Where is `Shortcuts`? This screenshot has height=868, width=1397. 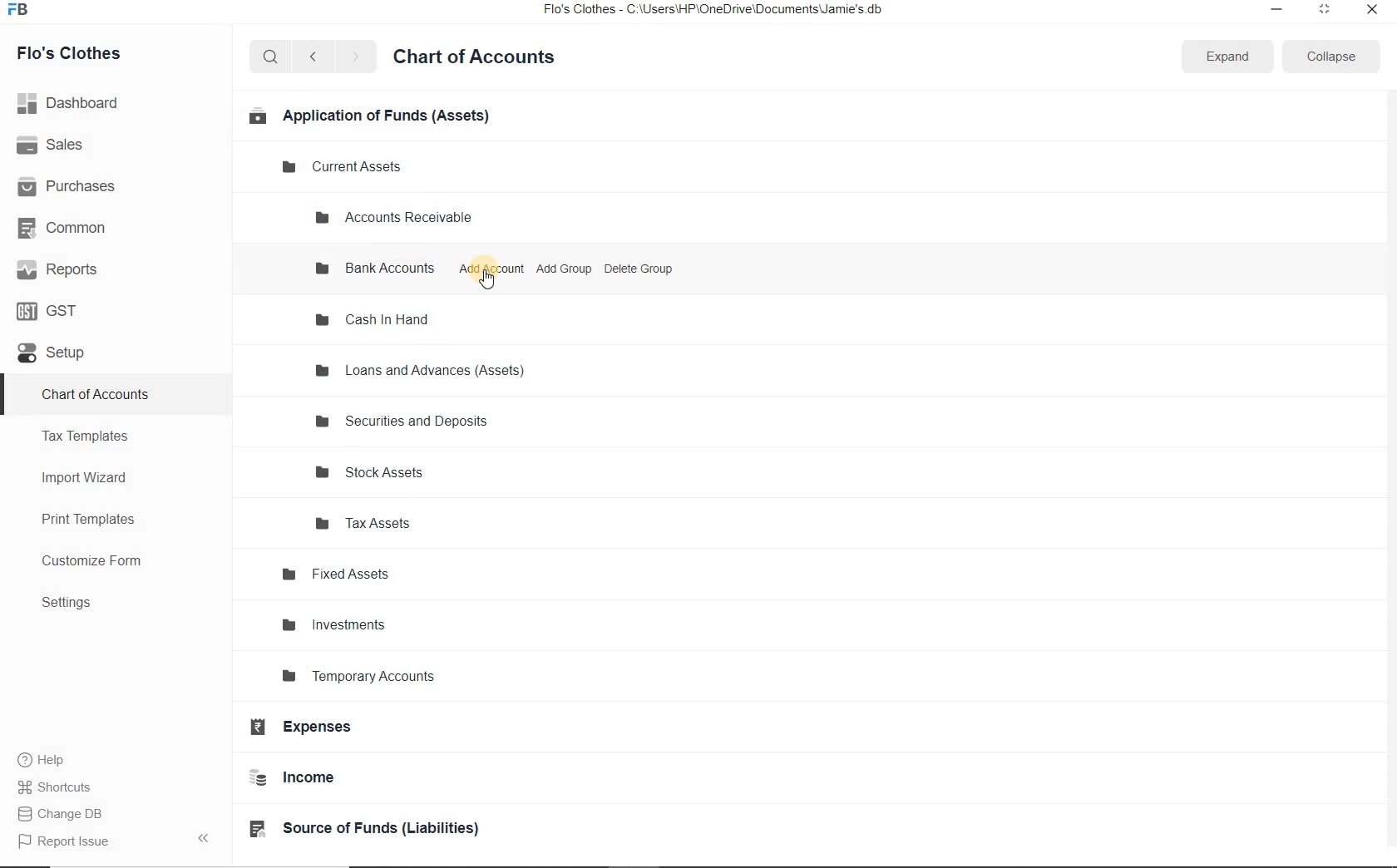 Shortcuts is located at coordinates (55, 784).